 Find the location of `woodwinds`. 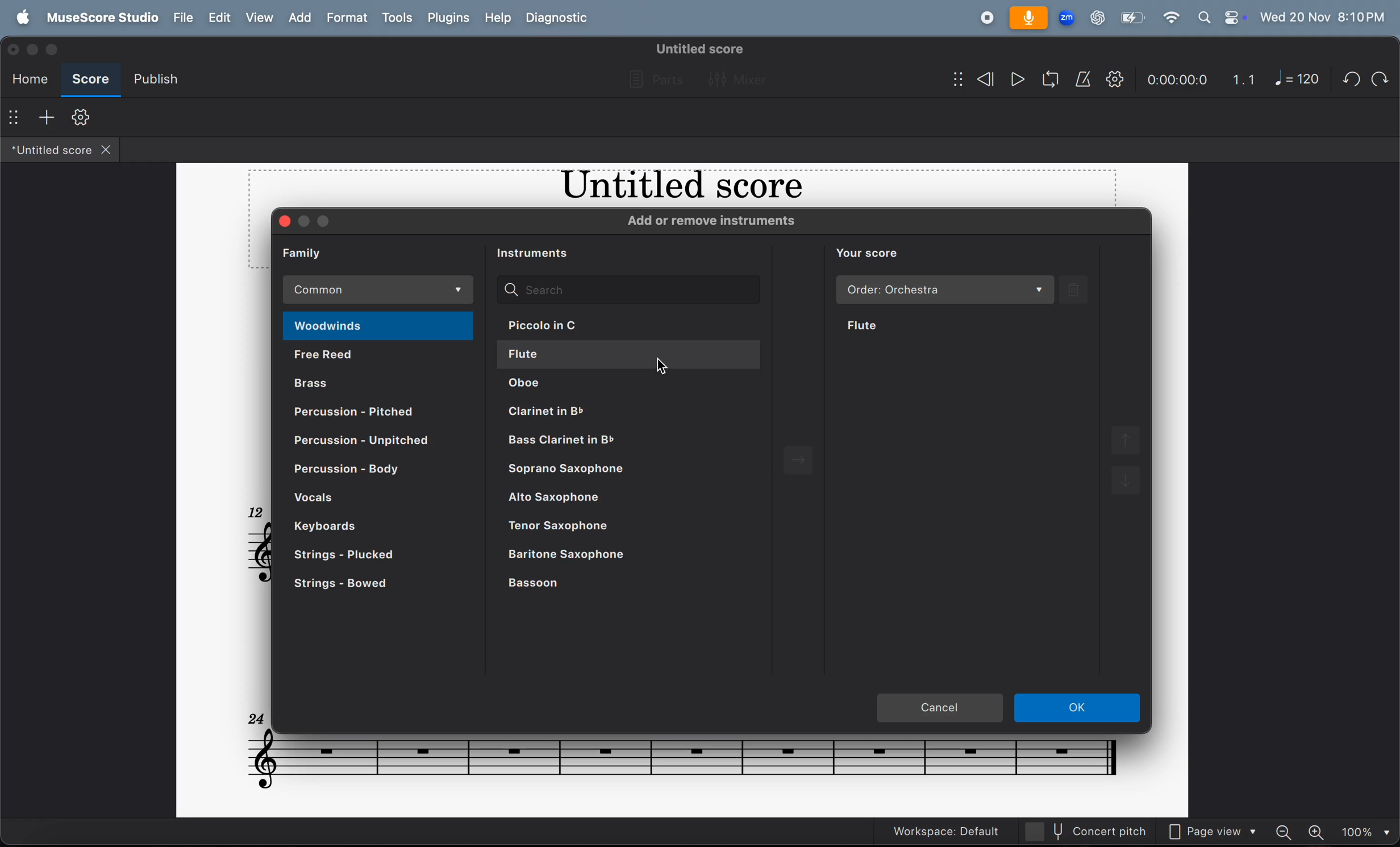

woodwinds is located at coordinates (380, 325).